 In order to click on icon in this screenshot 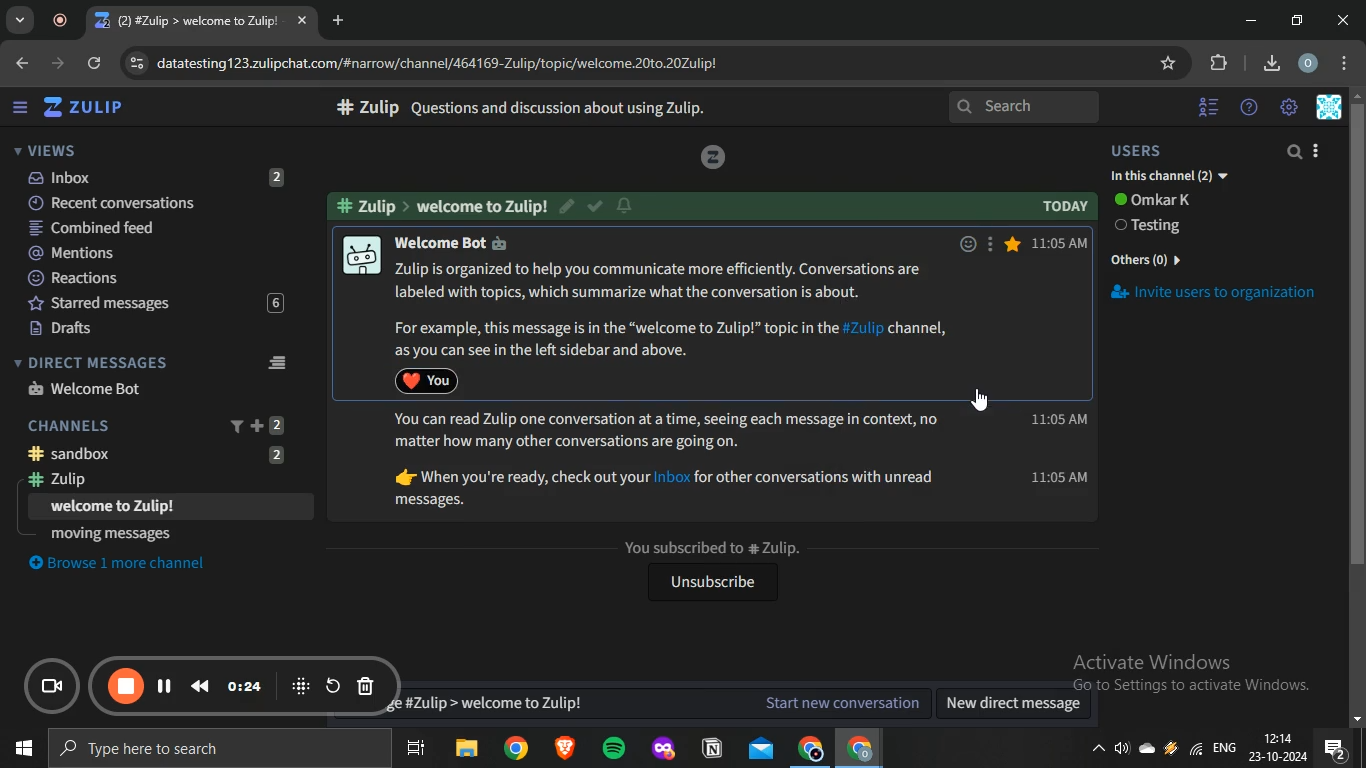, I will do `click(712, 157)`.